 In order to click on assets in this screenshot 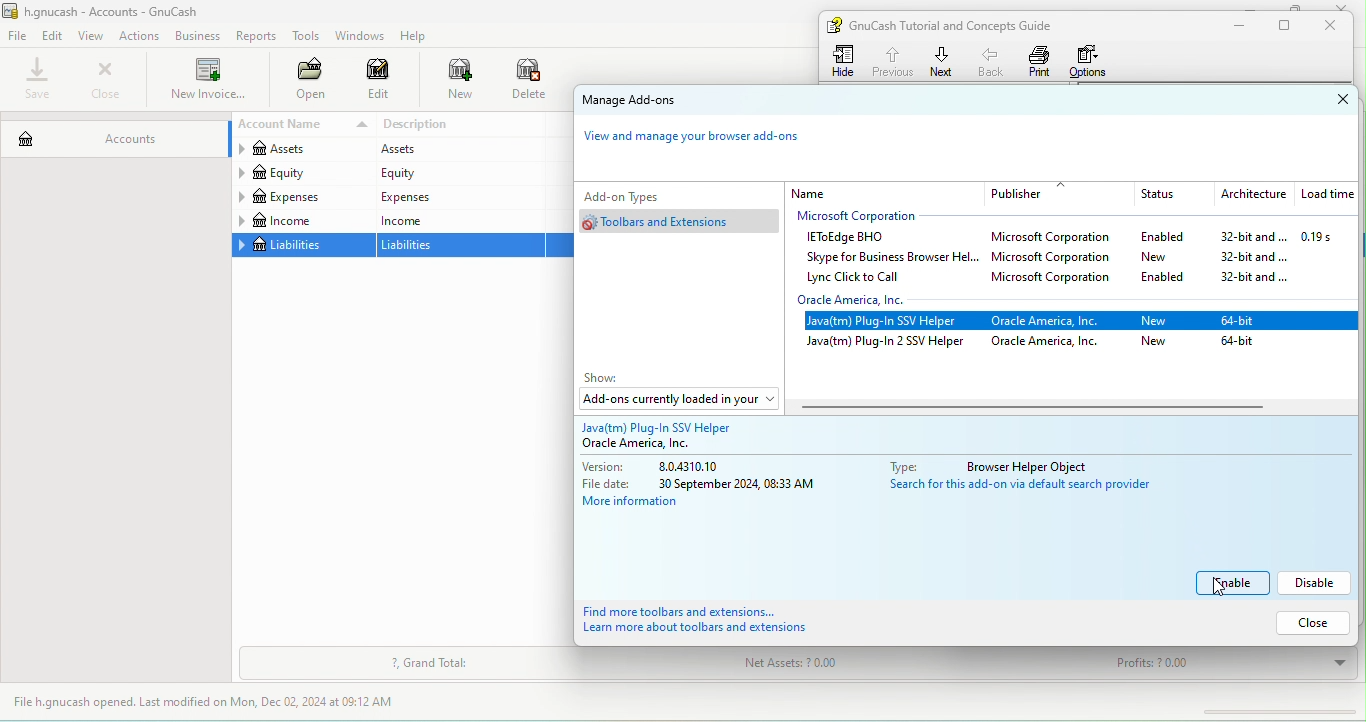, I will do `click(300, 151)`.